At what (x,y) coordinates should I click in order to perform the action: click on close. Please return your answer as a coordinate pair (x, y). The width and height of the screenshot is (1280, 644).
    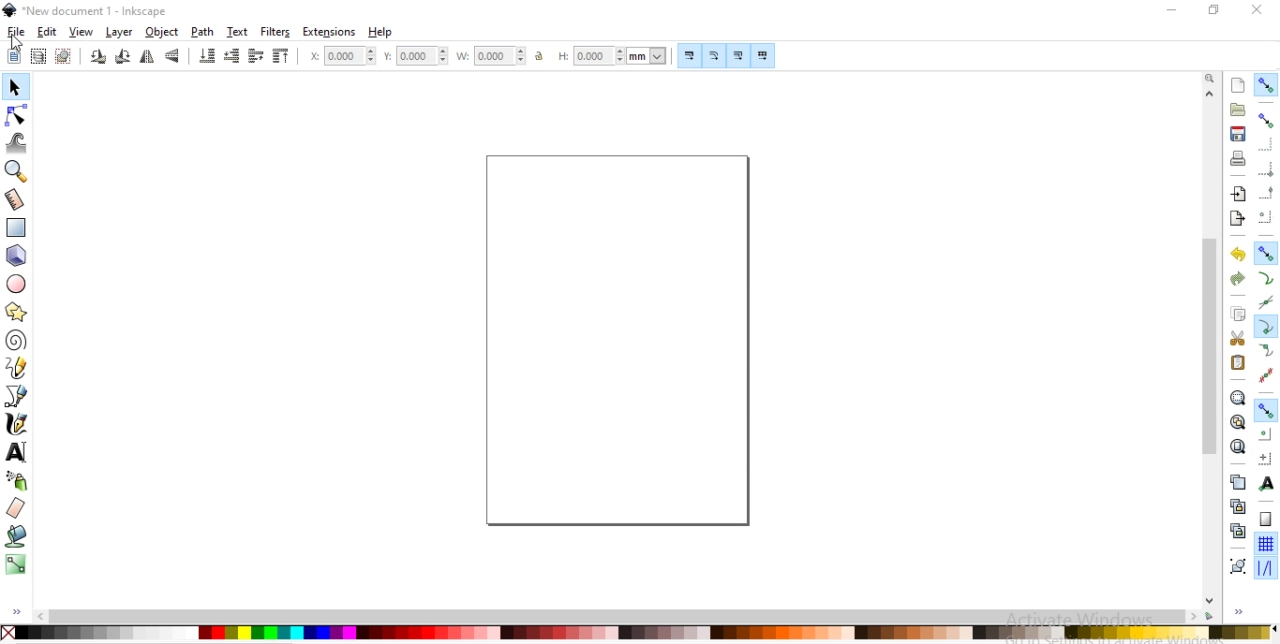
    Looking at the image, I should click on (1258, 10).